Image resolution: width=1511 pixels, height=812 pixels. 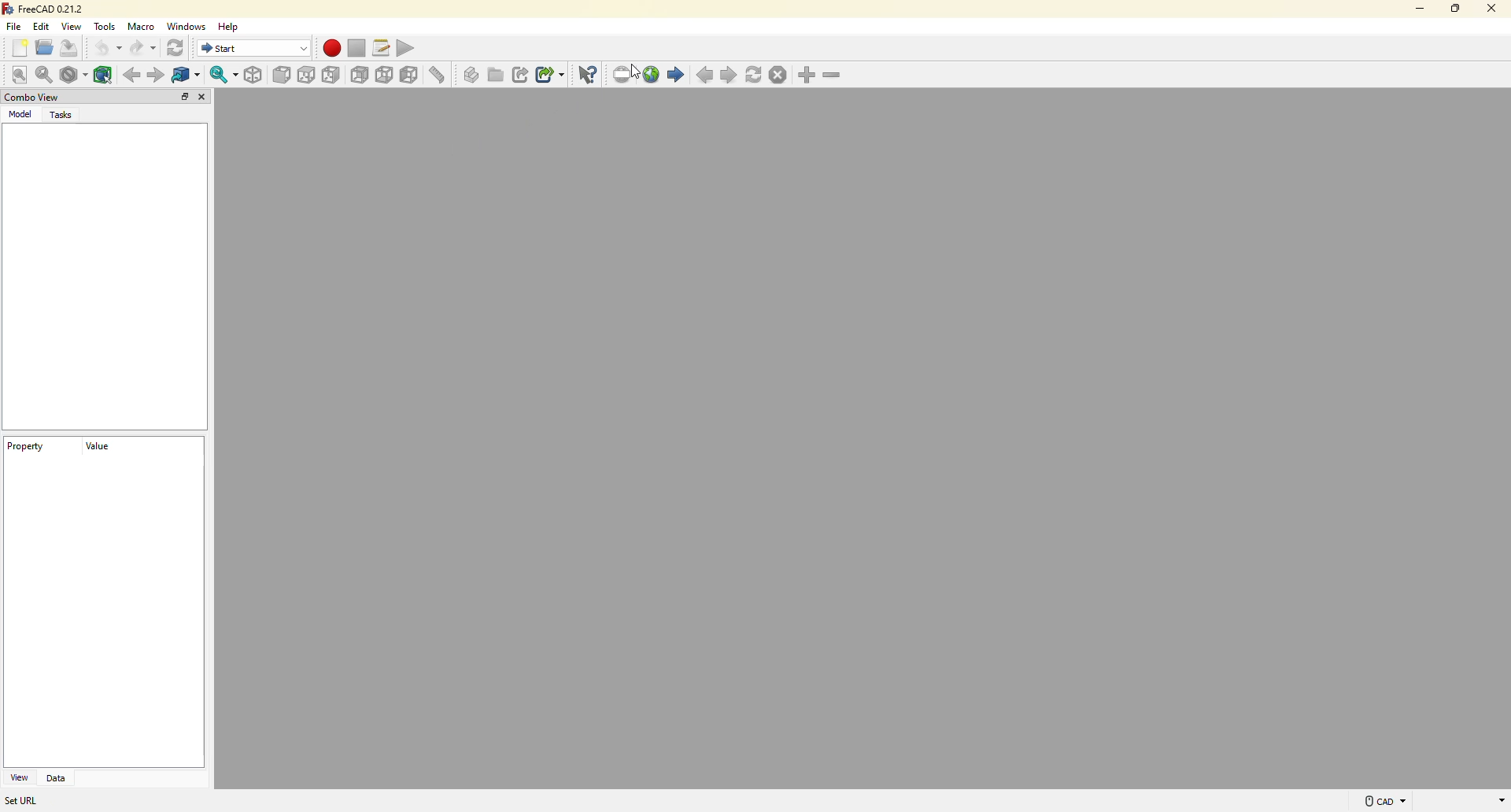 What do you see at coordinates (74, 50) in the screenshot?
I see `save` at bounding box center [74, 50].